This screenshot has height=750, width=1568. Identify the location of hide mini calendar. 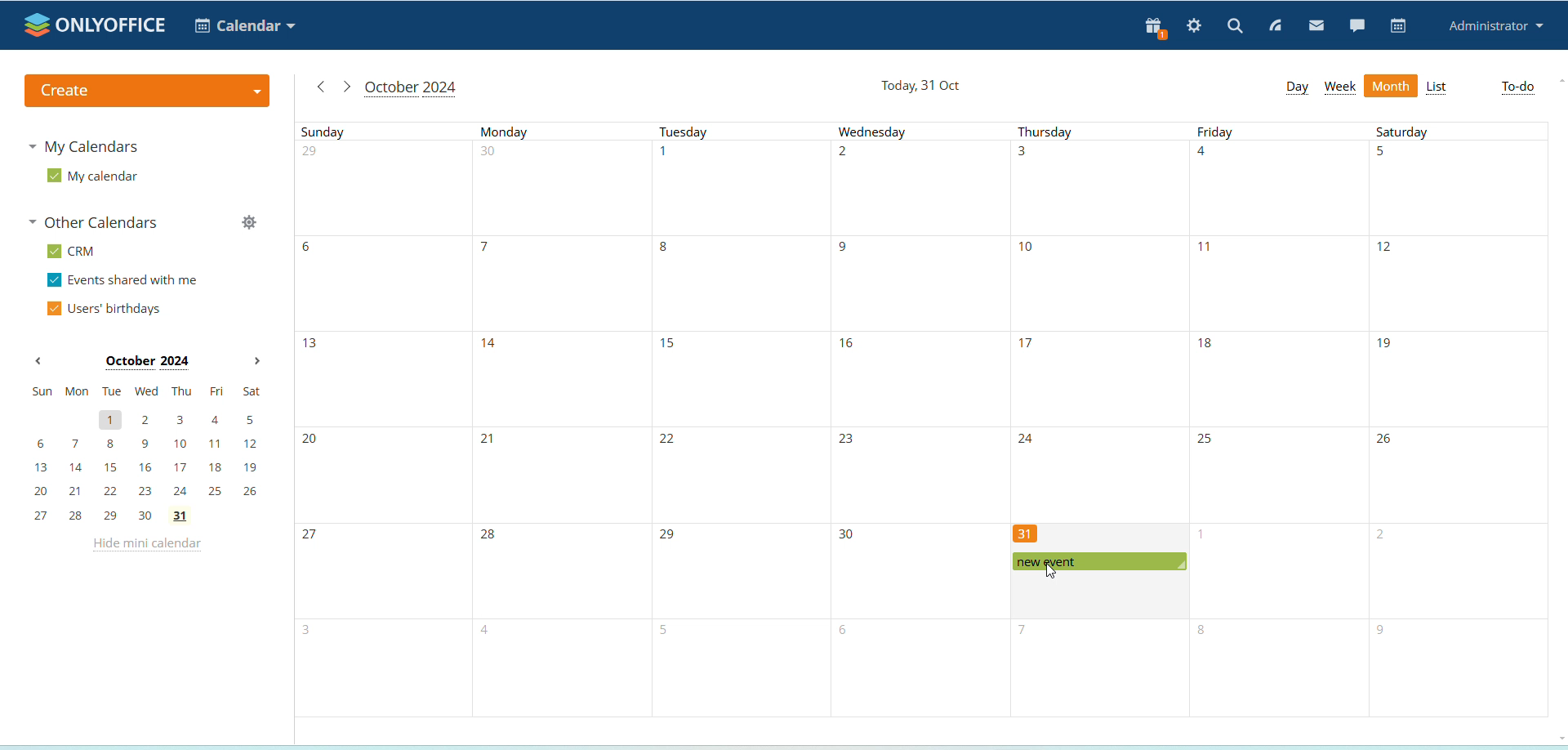
(145, 547).